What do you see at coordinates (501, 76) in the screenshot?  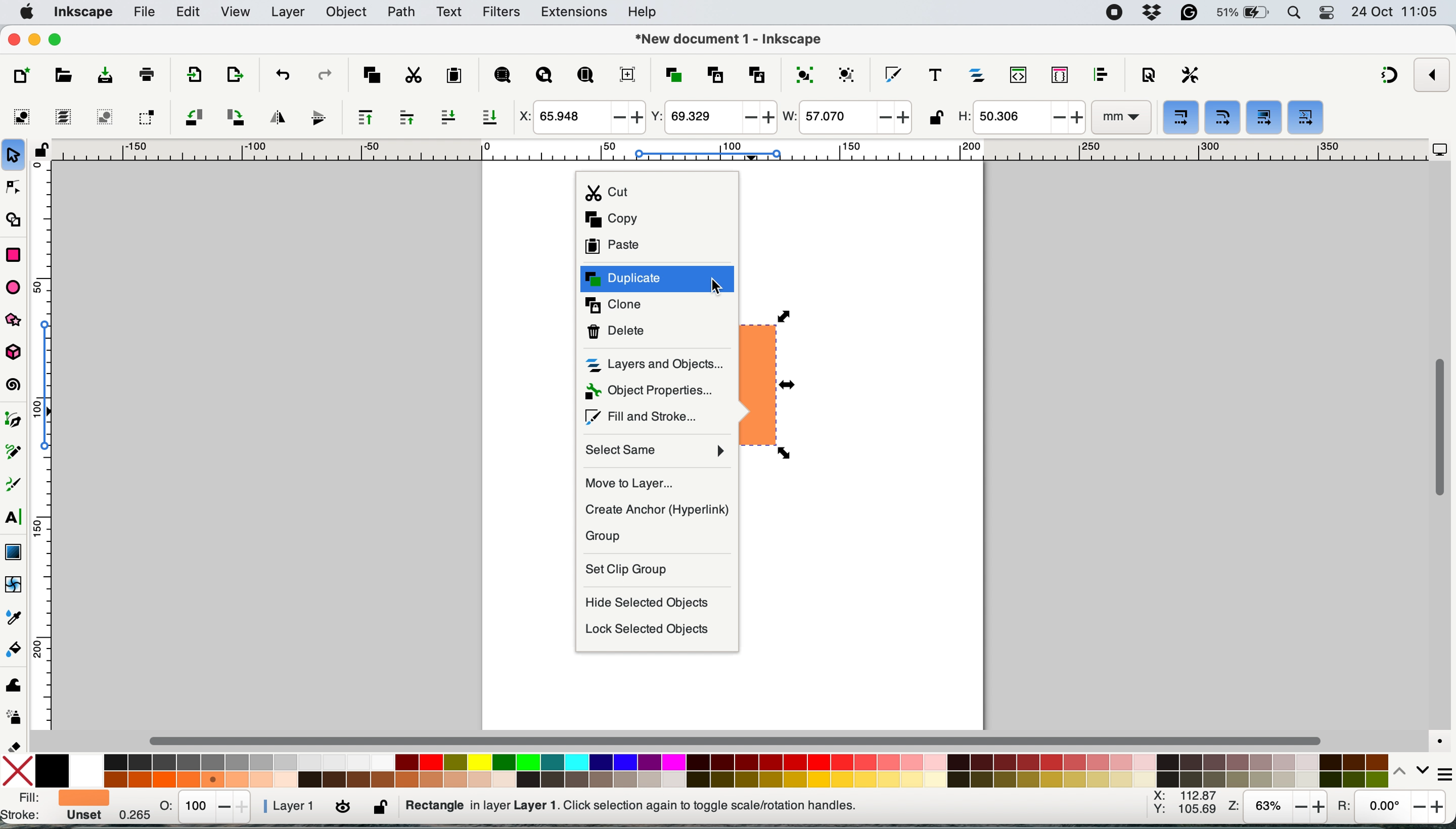 I see `zoom selection` at bounding box center [501, 76].